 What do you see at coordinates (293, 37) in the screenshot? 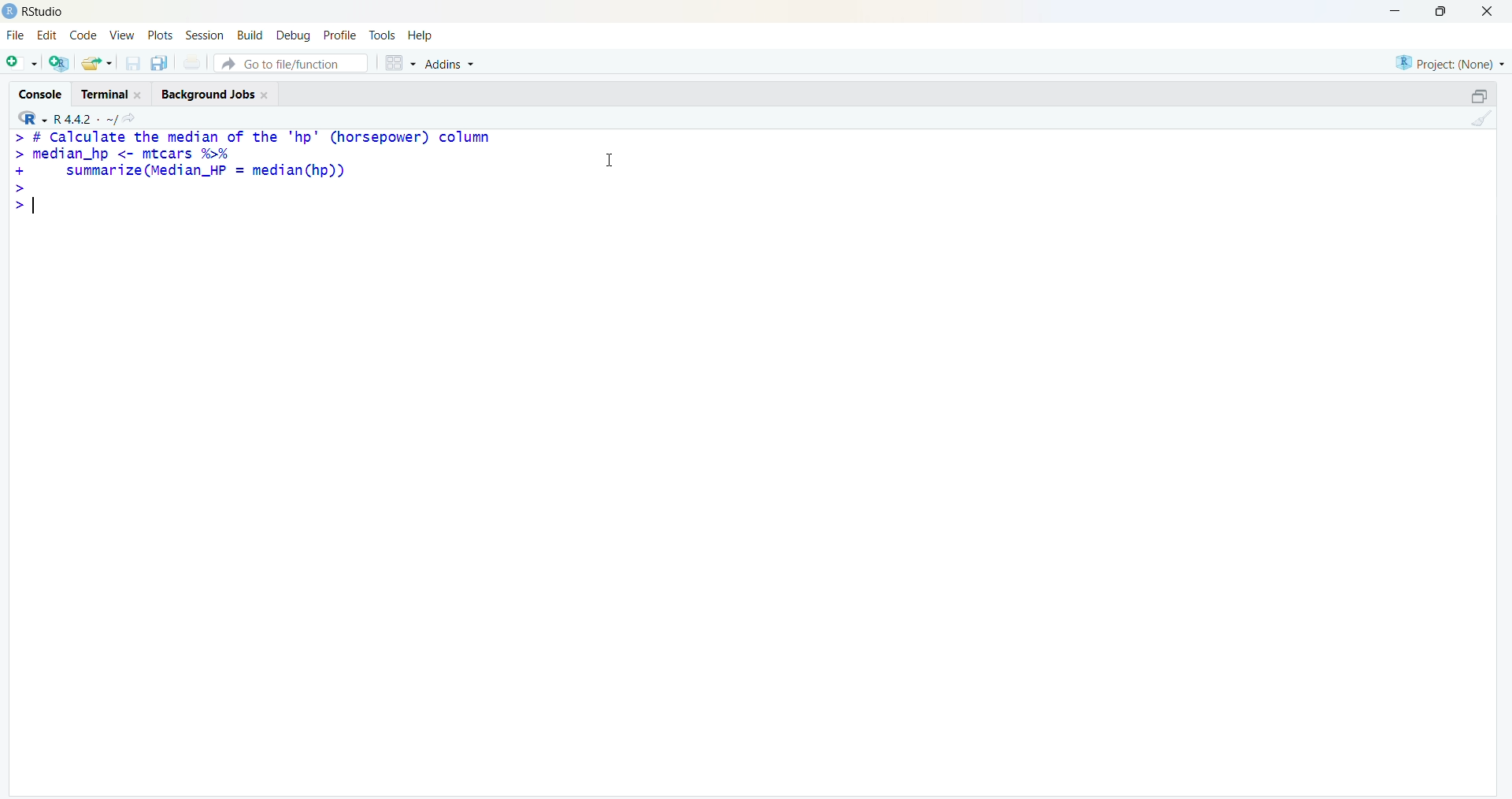
I see `debug` at bounding box center [293, 37].